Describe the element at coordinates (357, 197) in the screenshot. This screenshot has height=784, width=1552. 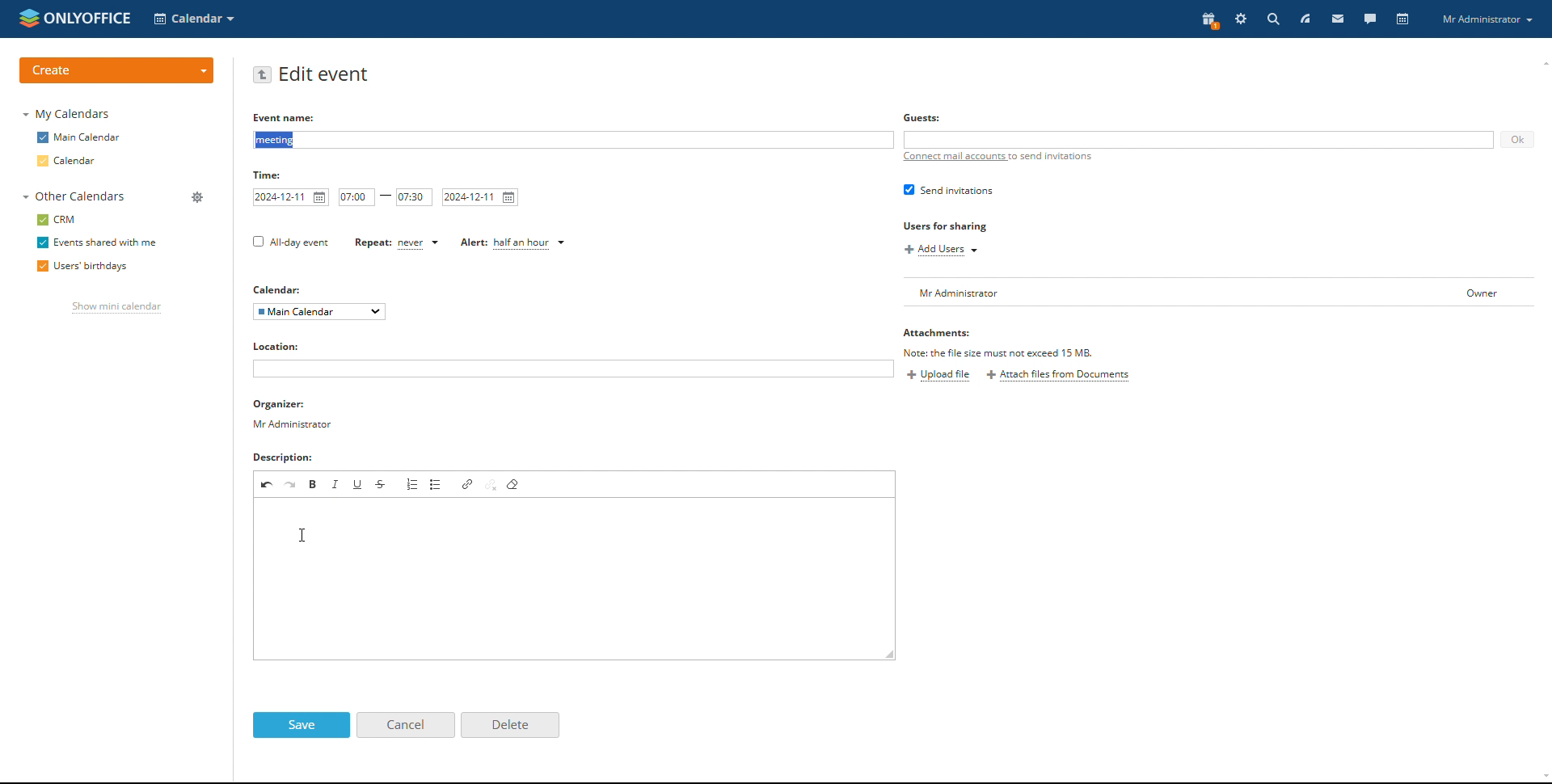
I see `start time` at that location.